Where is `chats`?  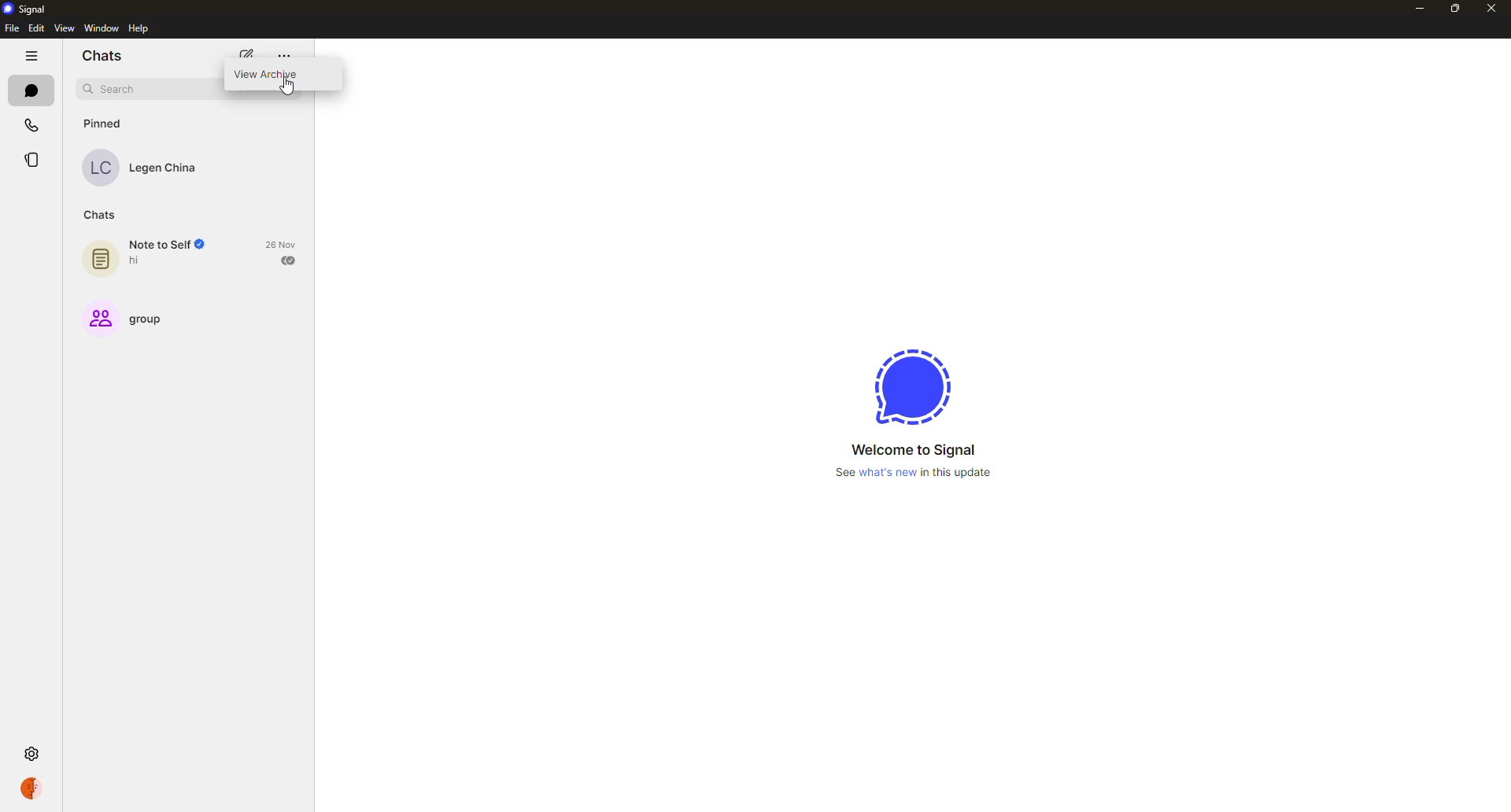 chats is located at coordinates (31, 89).